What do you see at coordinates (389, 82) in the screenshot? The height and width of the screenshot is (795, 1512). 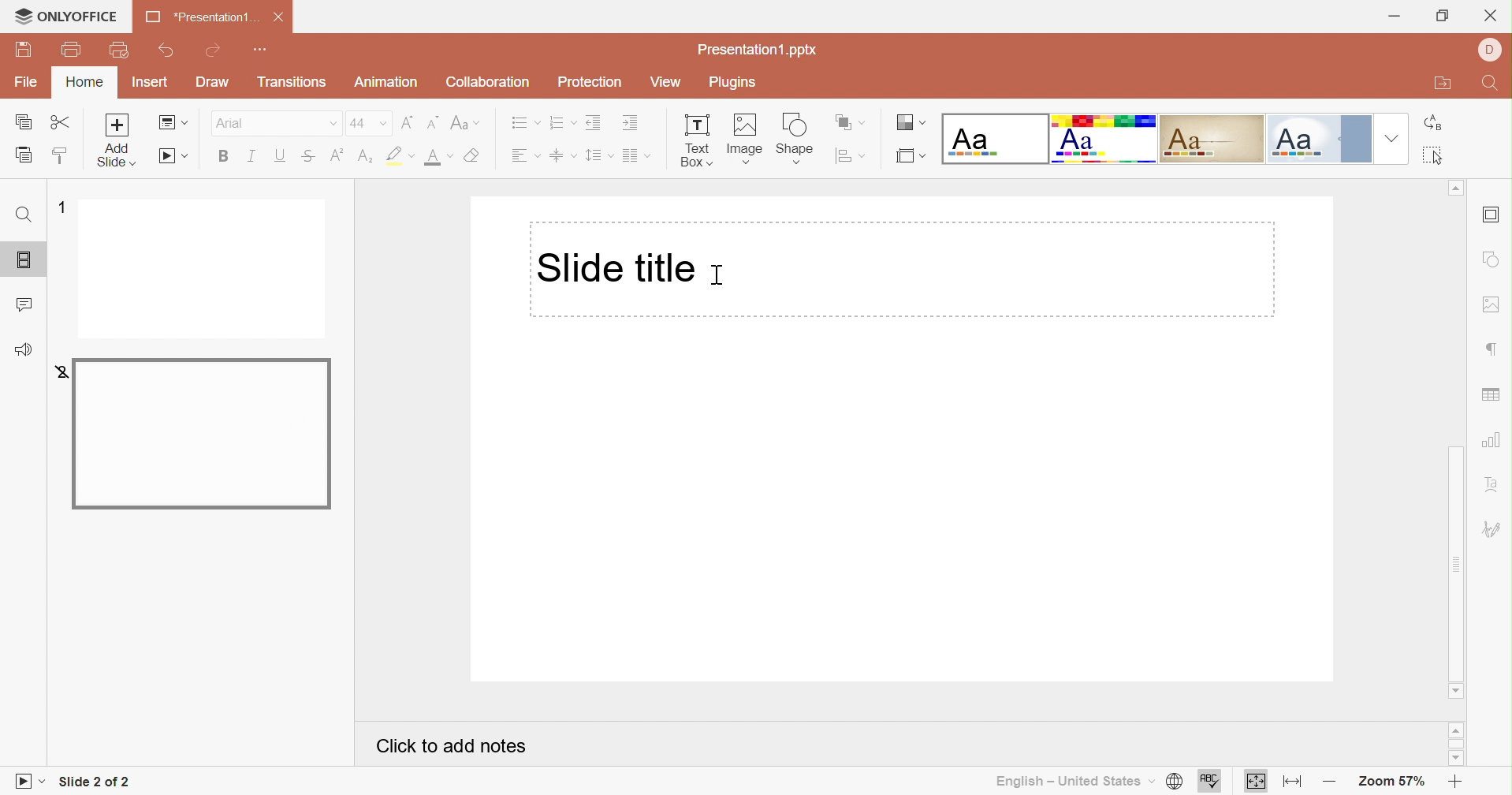 I see `Animation` at bounding box center [389, 82].